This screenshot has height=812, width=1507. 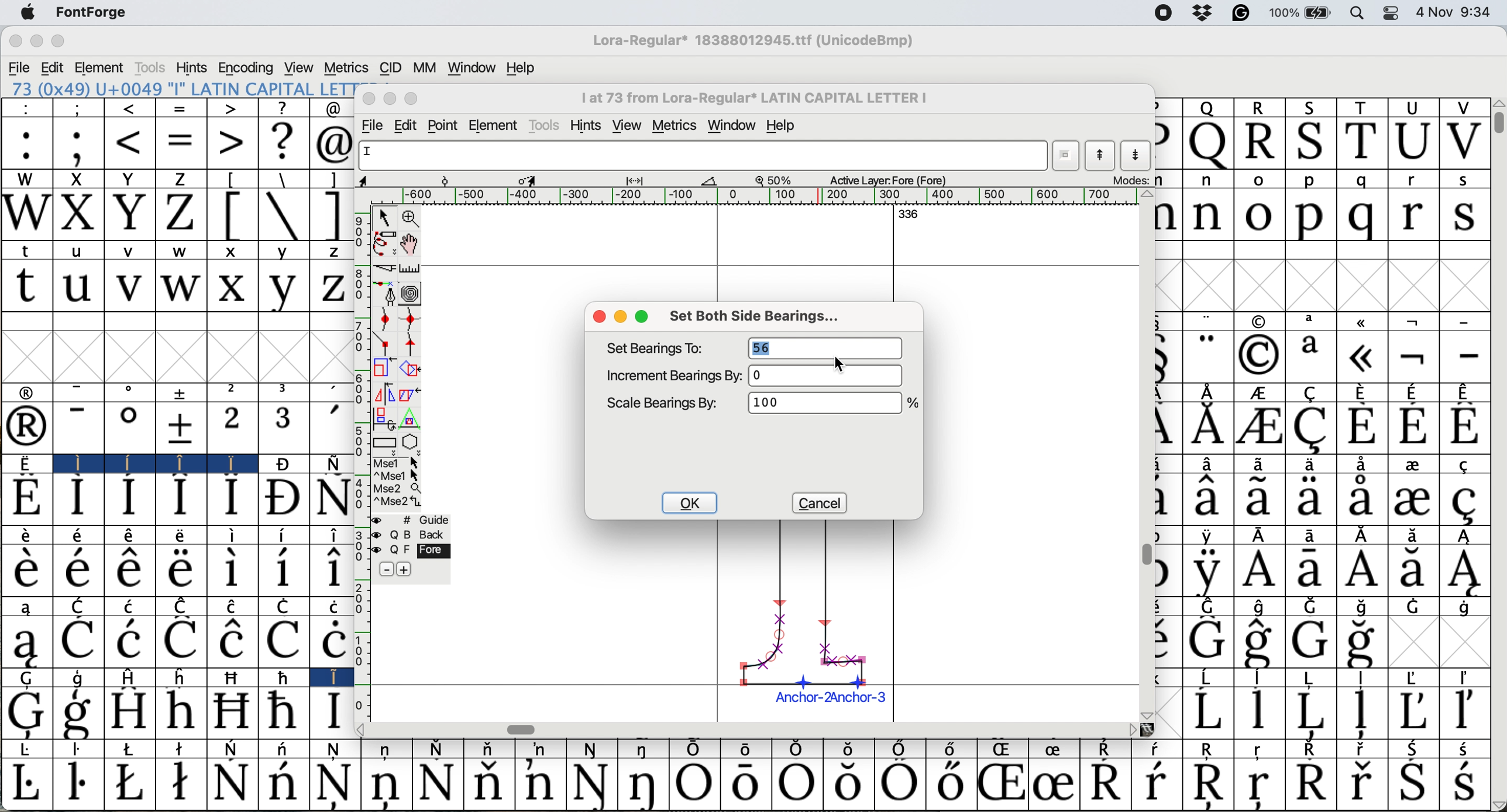 I want to click on metrics, so click(x=345, y=68).